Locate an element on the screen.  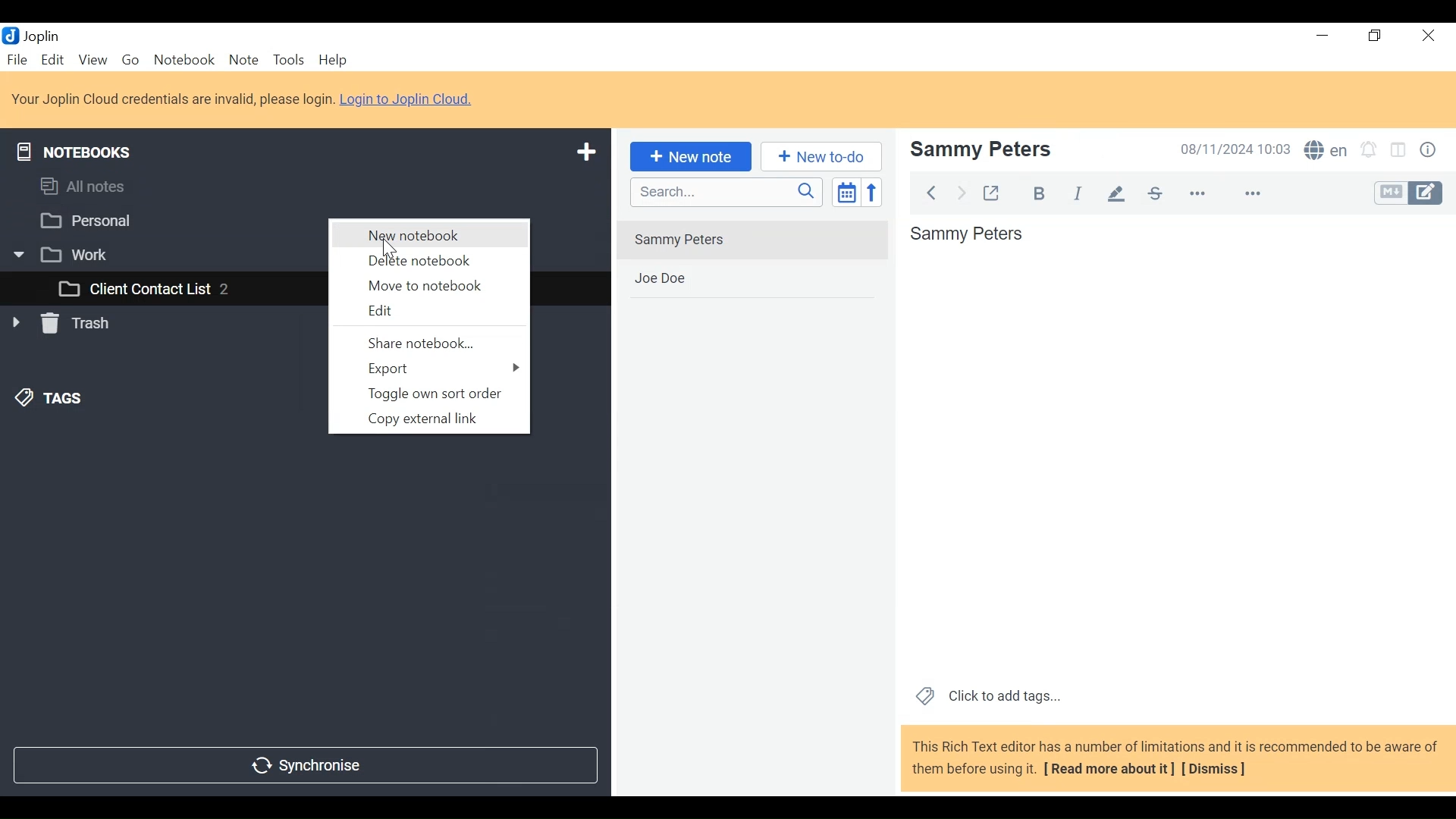
help is located at coordinates (343, 58).